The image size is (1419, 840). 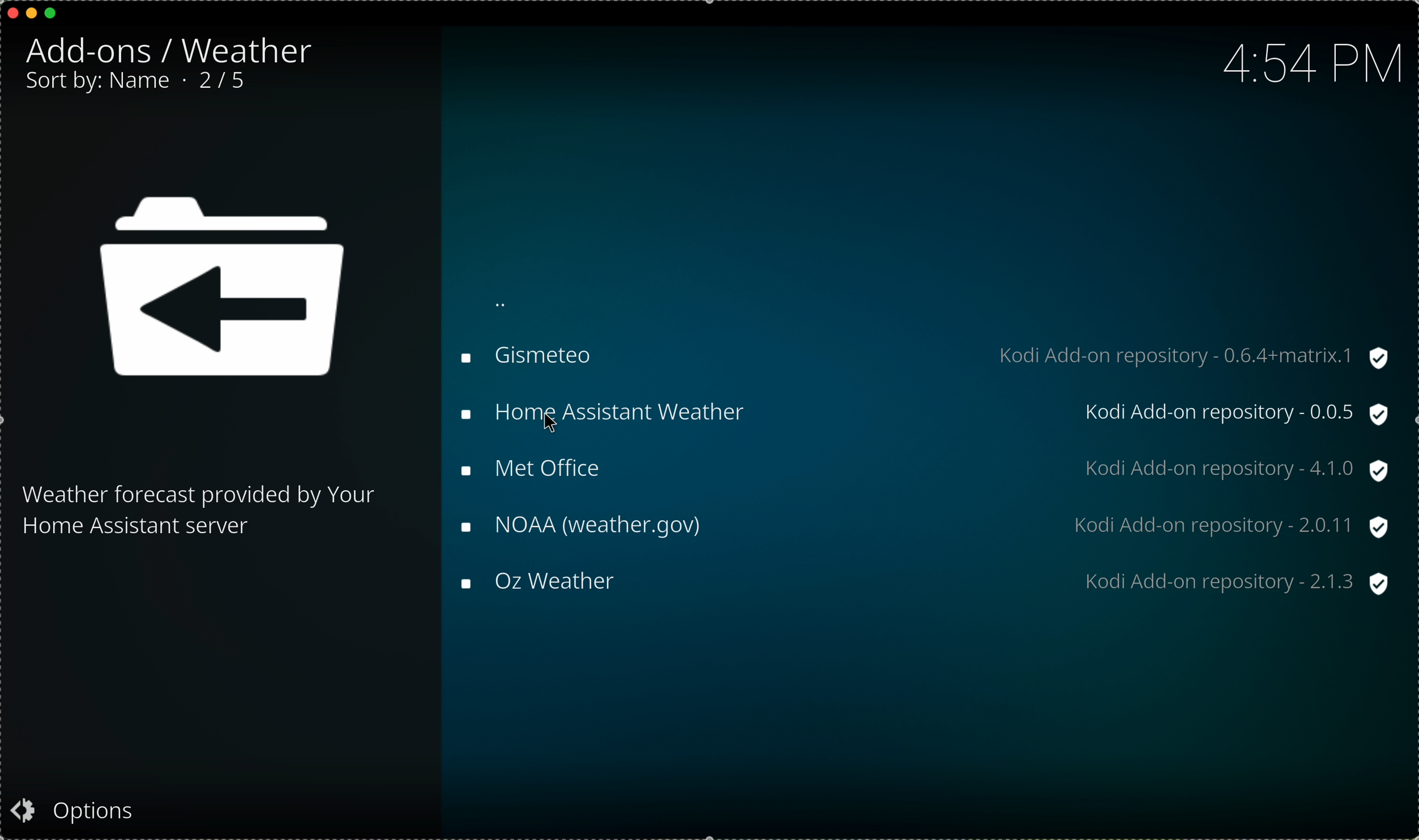 What do you see at coordinates (80, 808) in the screenshot?
I see `options` at bounding box center [80, 808].